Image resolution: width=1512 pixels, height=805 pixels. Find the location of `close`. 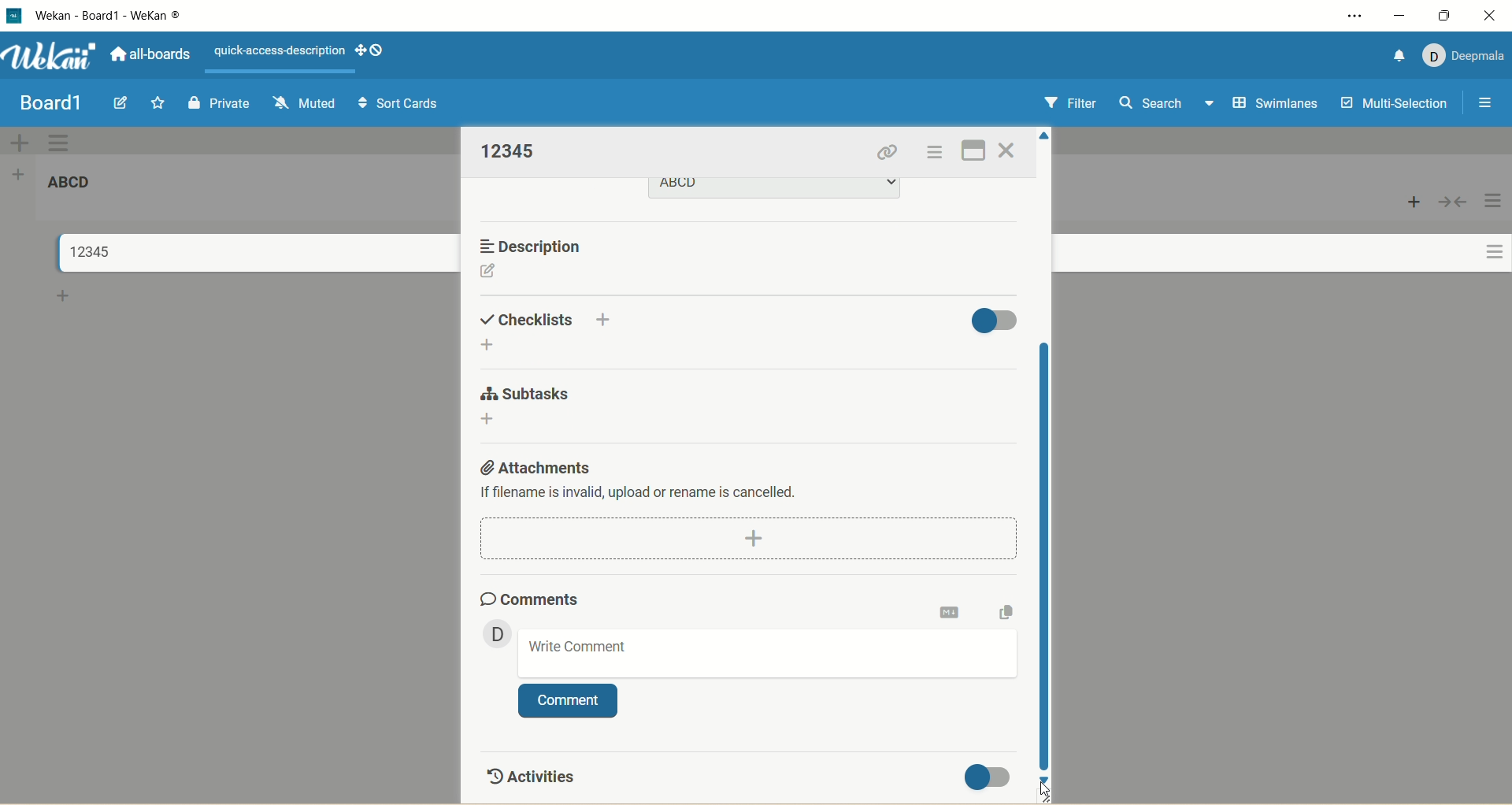

close is located at coordinates (1490, 15).